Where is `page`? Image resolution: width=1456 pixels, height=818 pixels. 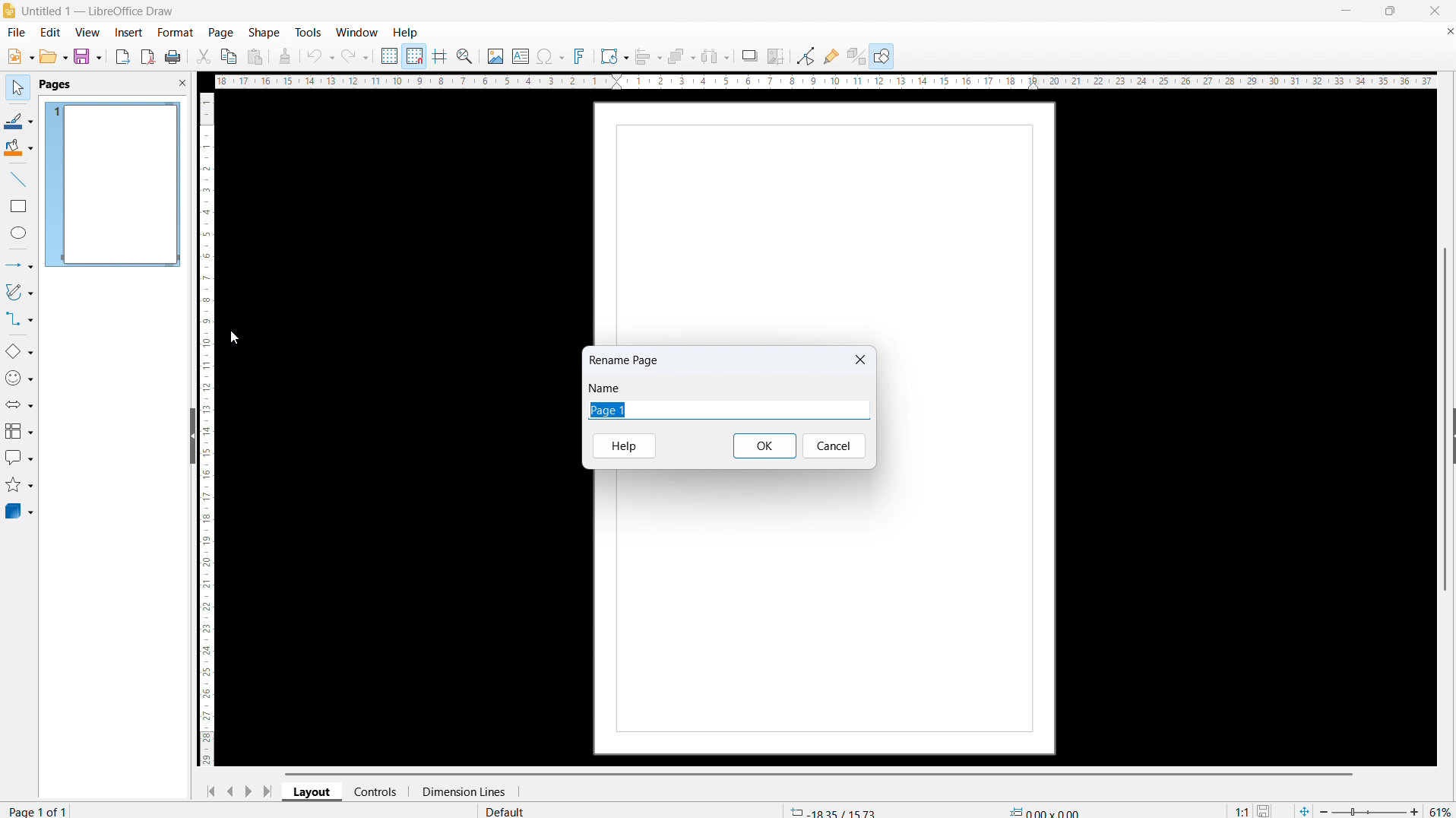
page is located at coordinates (822, 618).